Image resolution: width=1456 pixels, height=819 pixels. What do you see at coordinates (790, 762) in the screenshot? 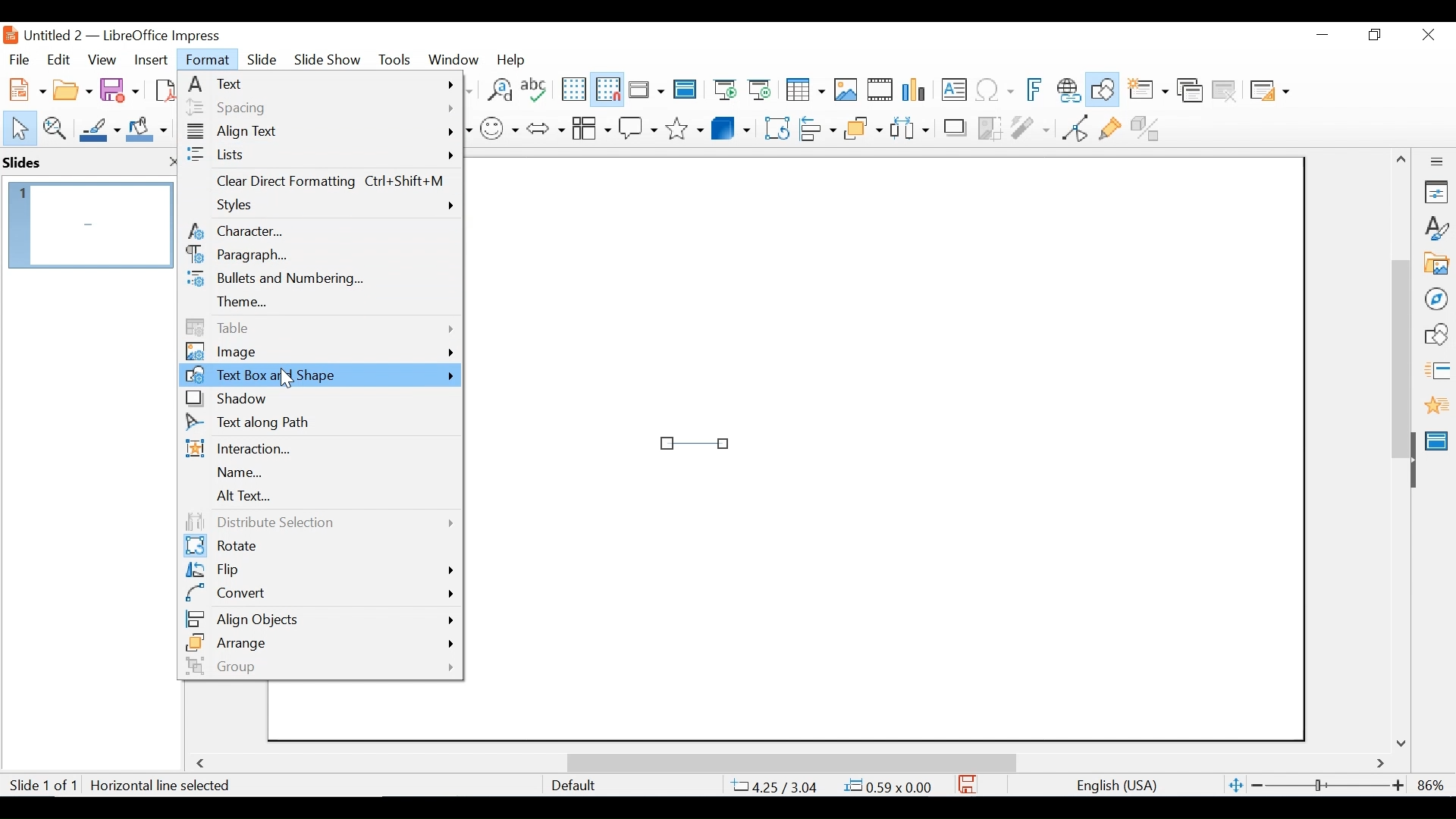
I see `Horizontal Scrollbar` at bounding box center [790, 762].